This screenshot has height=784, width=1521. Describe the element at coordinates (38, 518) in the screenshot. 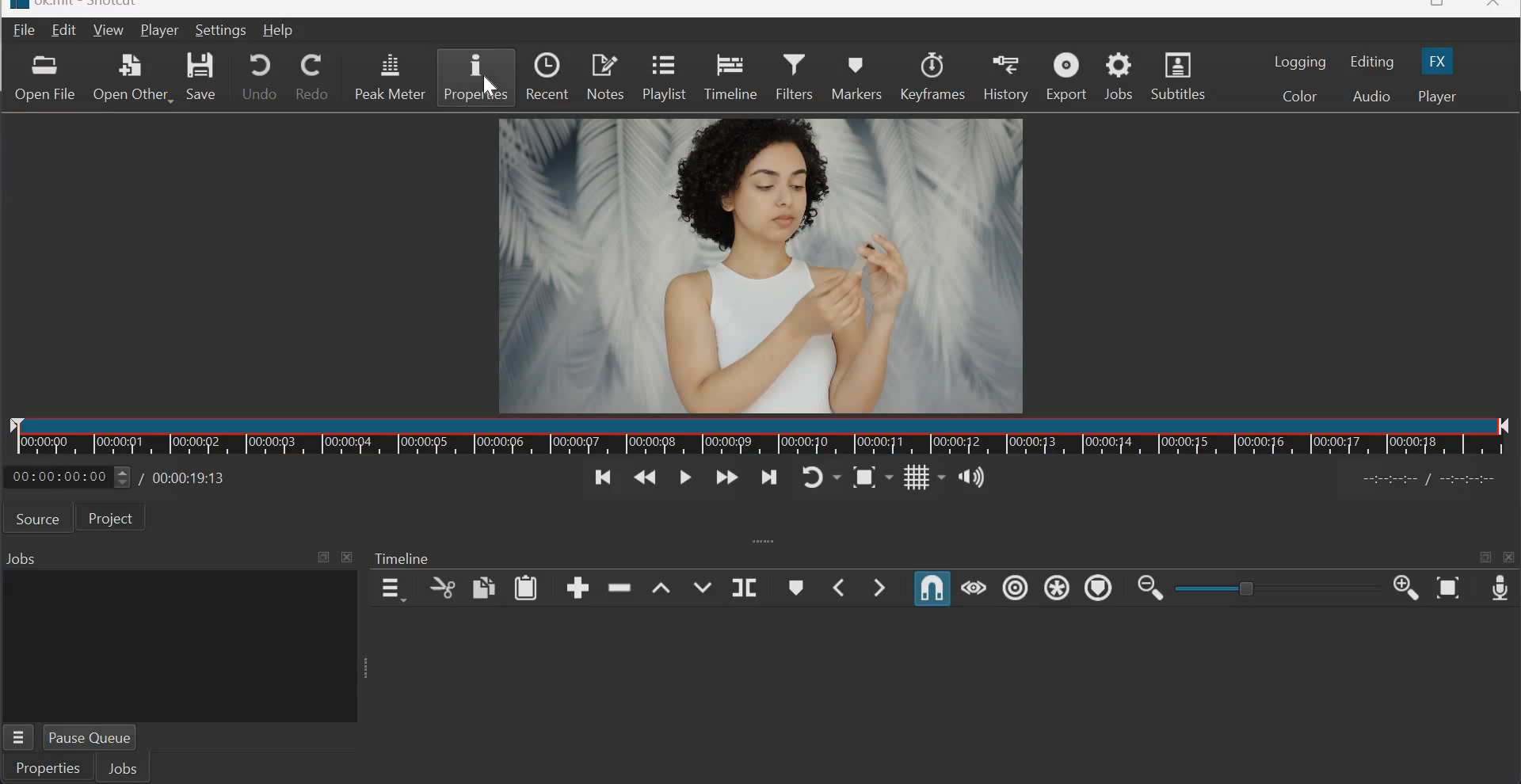

I see `Source` at that location.